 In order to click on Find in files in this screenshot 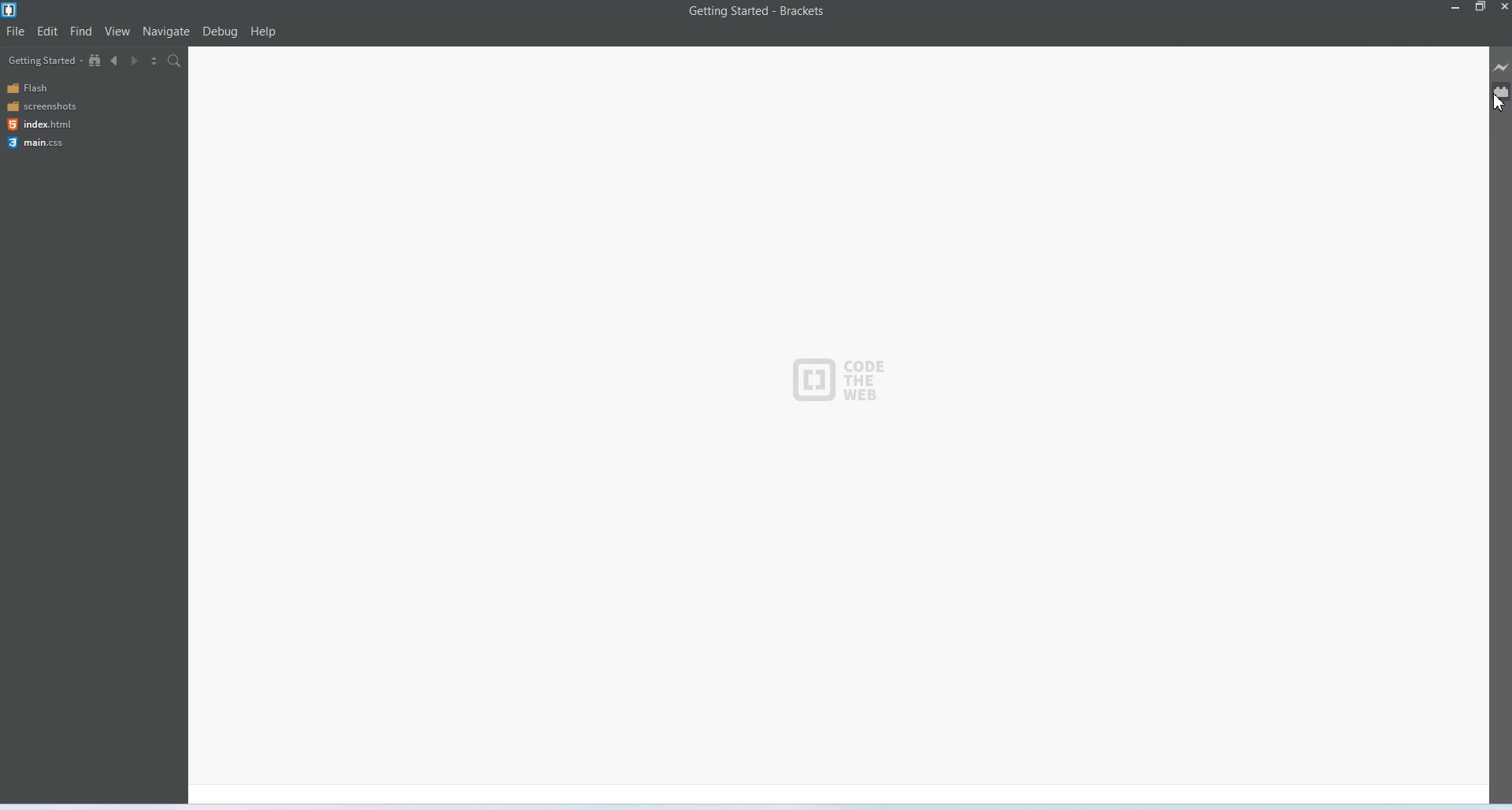, I will do `click(175, 61)`.